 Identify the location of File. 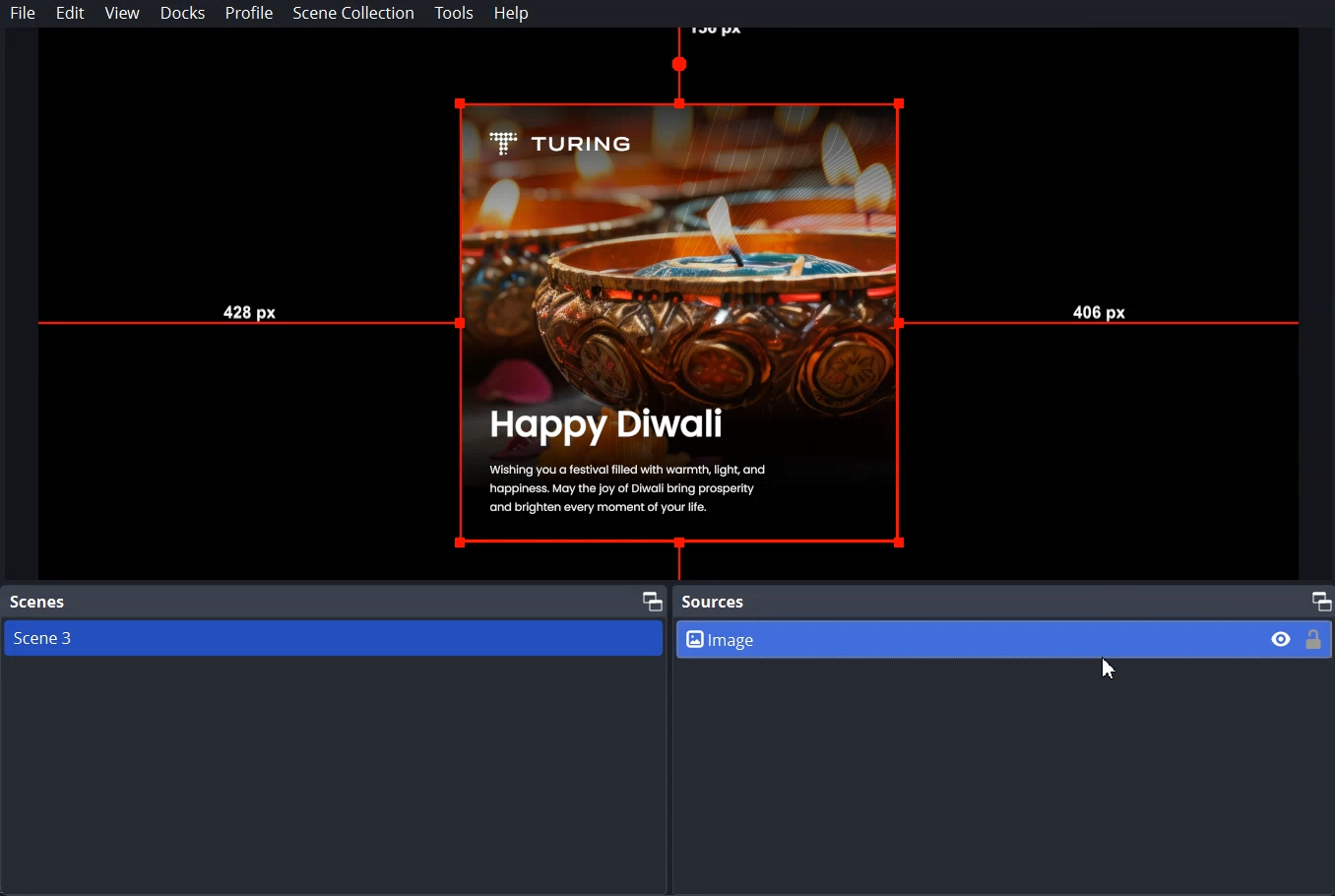
(24, 13).